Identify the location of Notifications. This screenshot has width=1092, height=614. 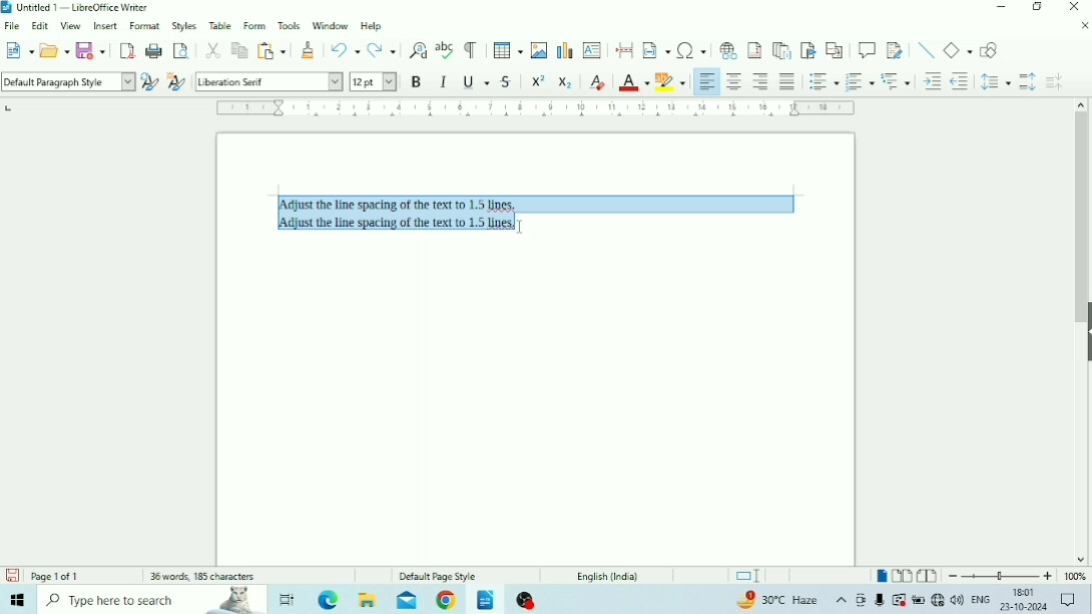
(1067, 598).